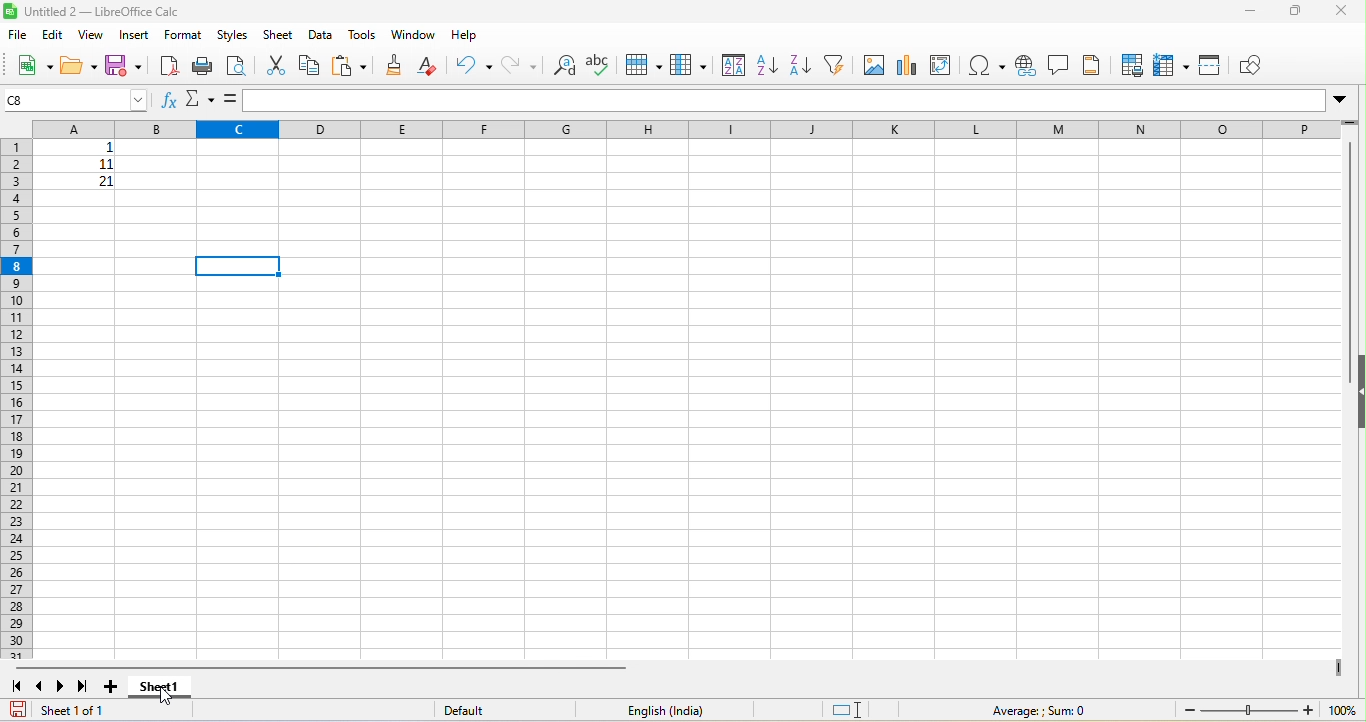 This screenshot has height=722, width=1366. What do you see at coordinates (168, 65) in the screenshot?
I see `export pdf` at bounding box center [168, 65].